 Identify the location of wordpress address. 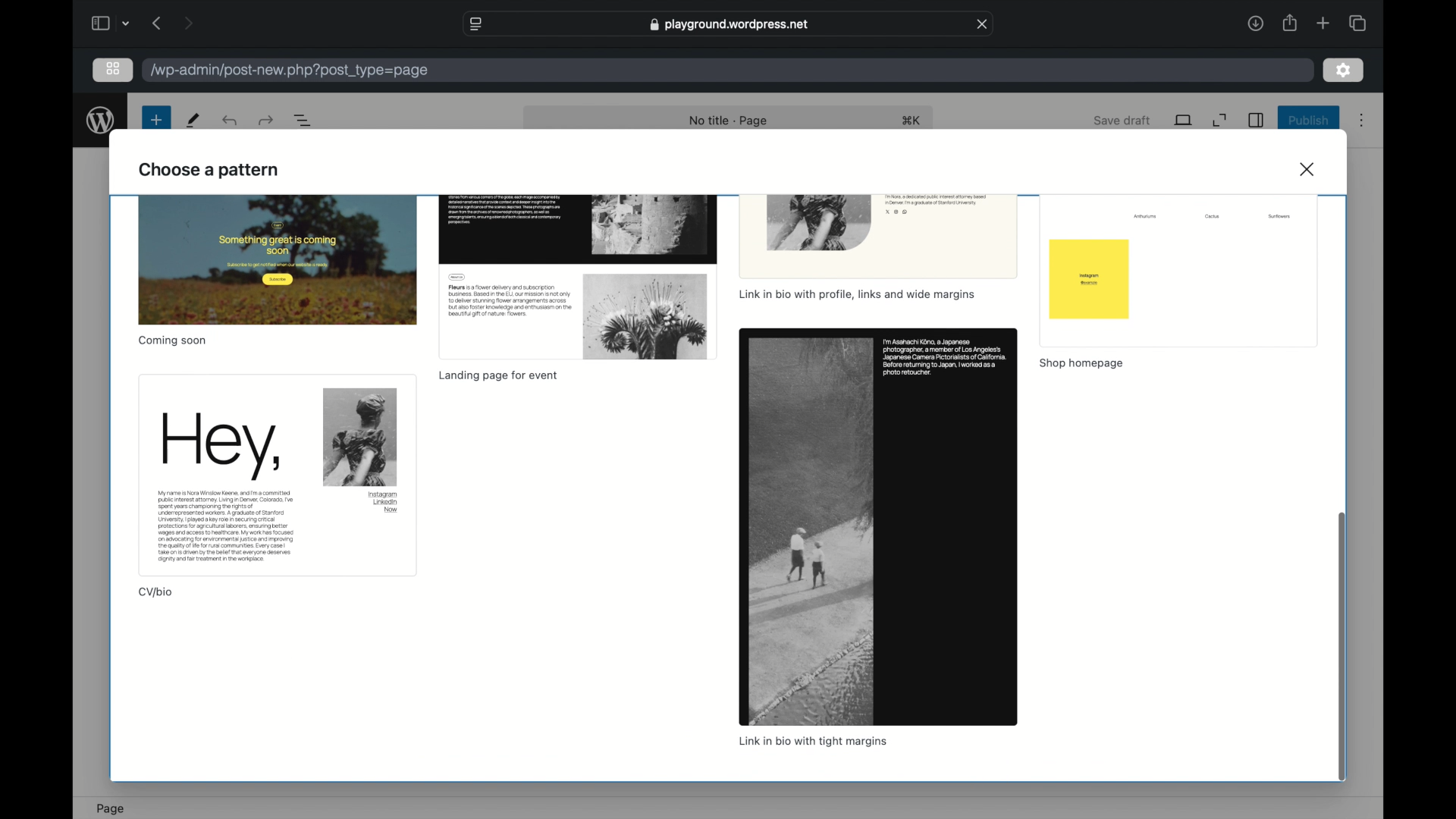
(290, 71).